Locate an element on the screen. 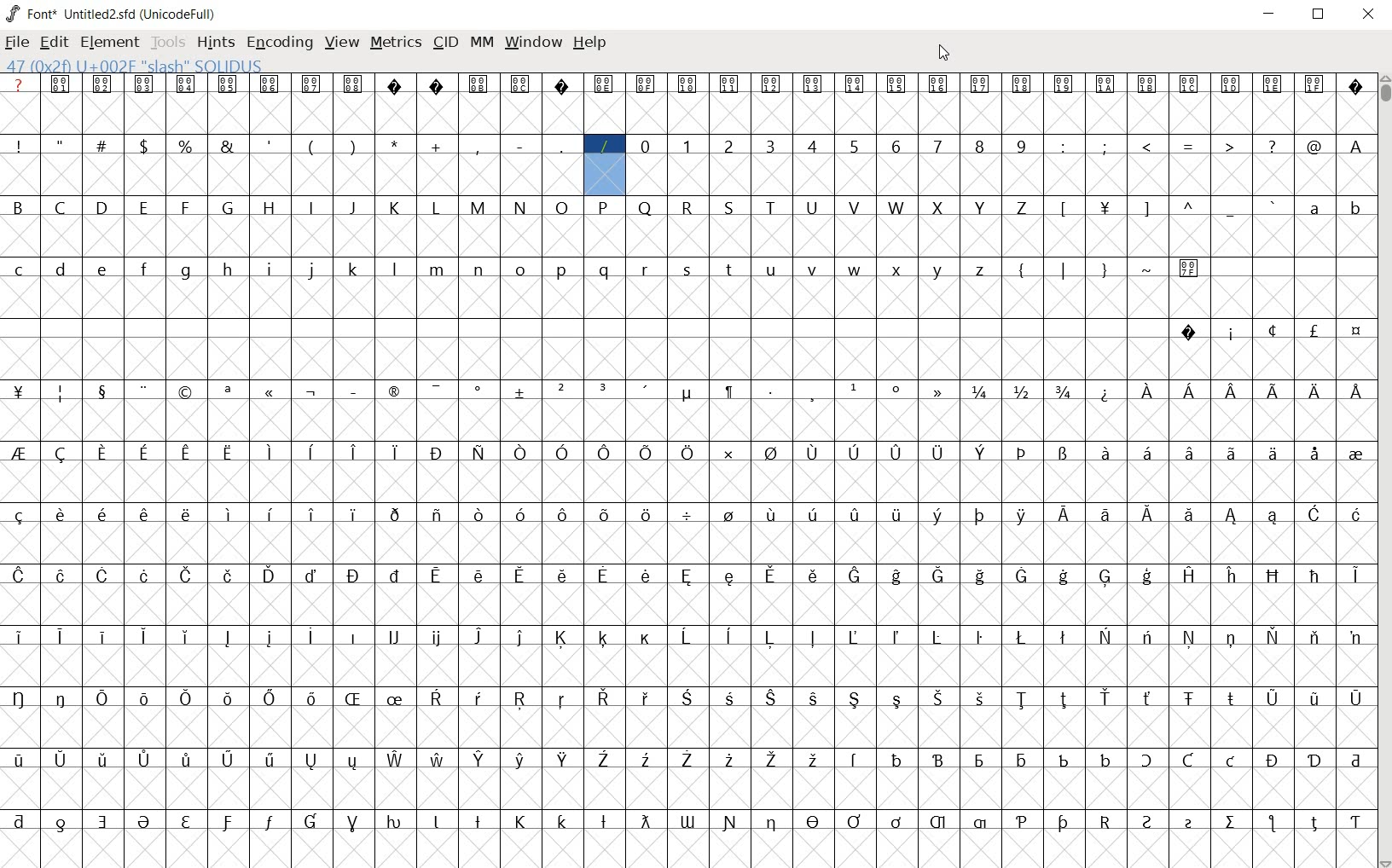 Image resolution: width=1392 pixels, height=868 pixels. glyph is located at coordinates (229, 269).